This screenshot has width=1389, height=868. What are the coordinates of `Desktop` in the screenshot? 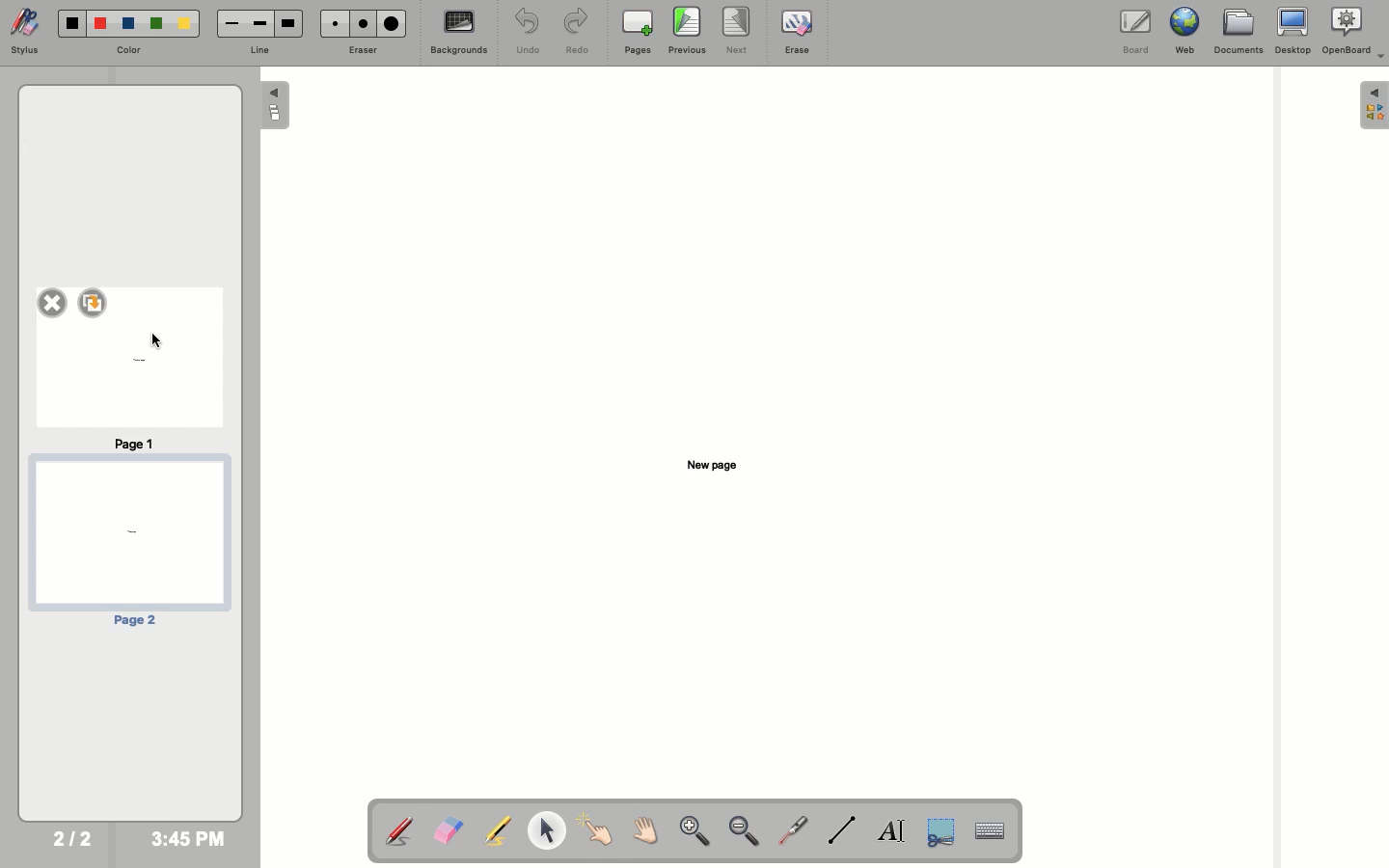 It's located at (1294, 31).